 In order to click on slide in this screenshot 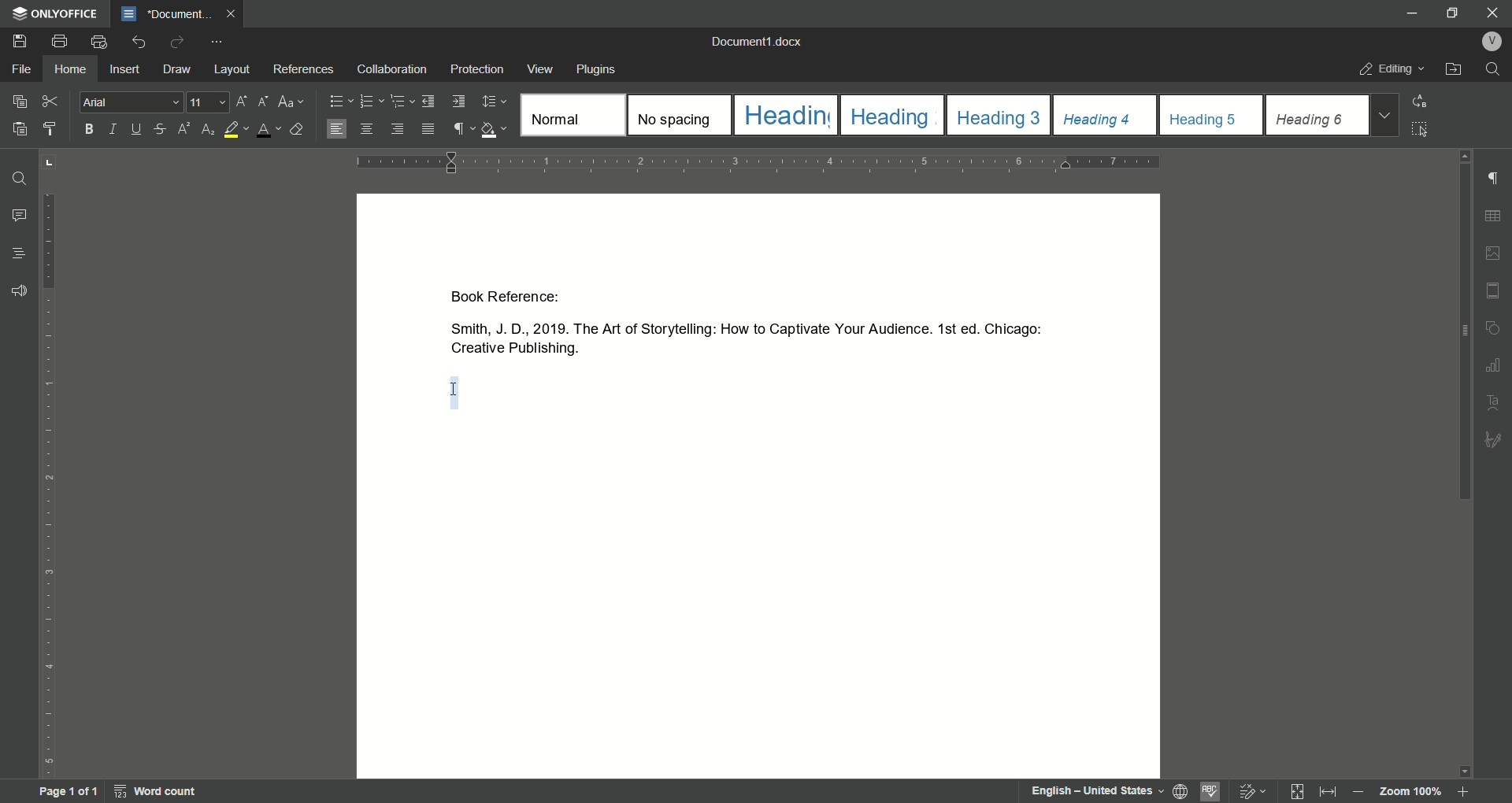, I will do `click(1492, 289)`.